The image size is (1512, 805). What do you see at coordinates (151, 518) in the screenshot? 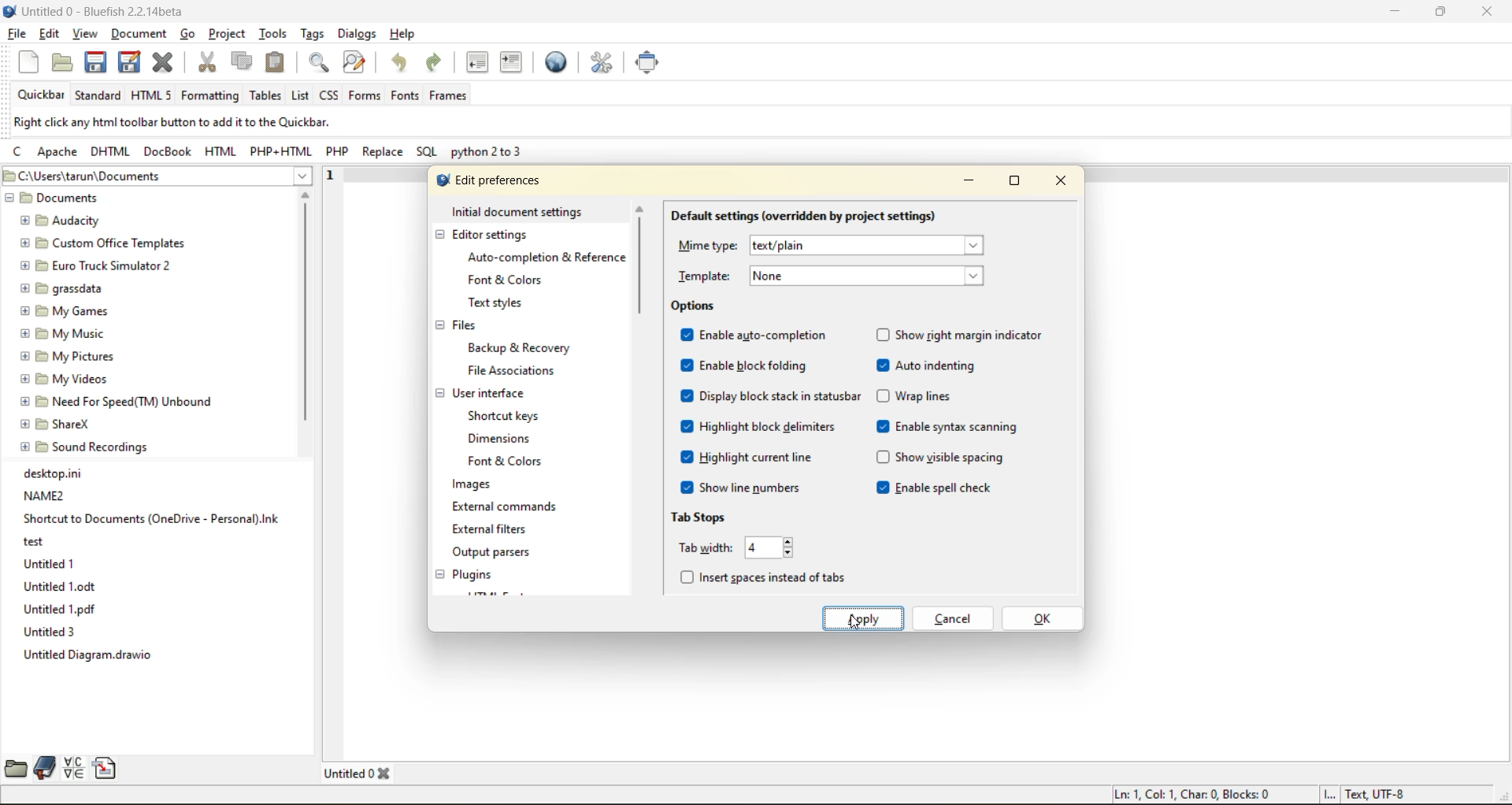
I see `Shortcut to Documents (OneDrive - Personal).Ink` at bounding box center [151, 518].